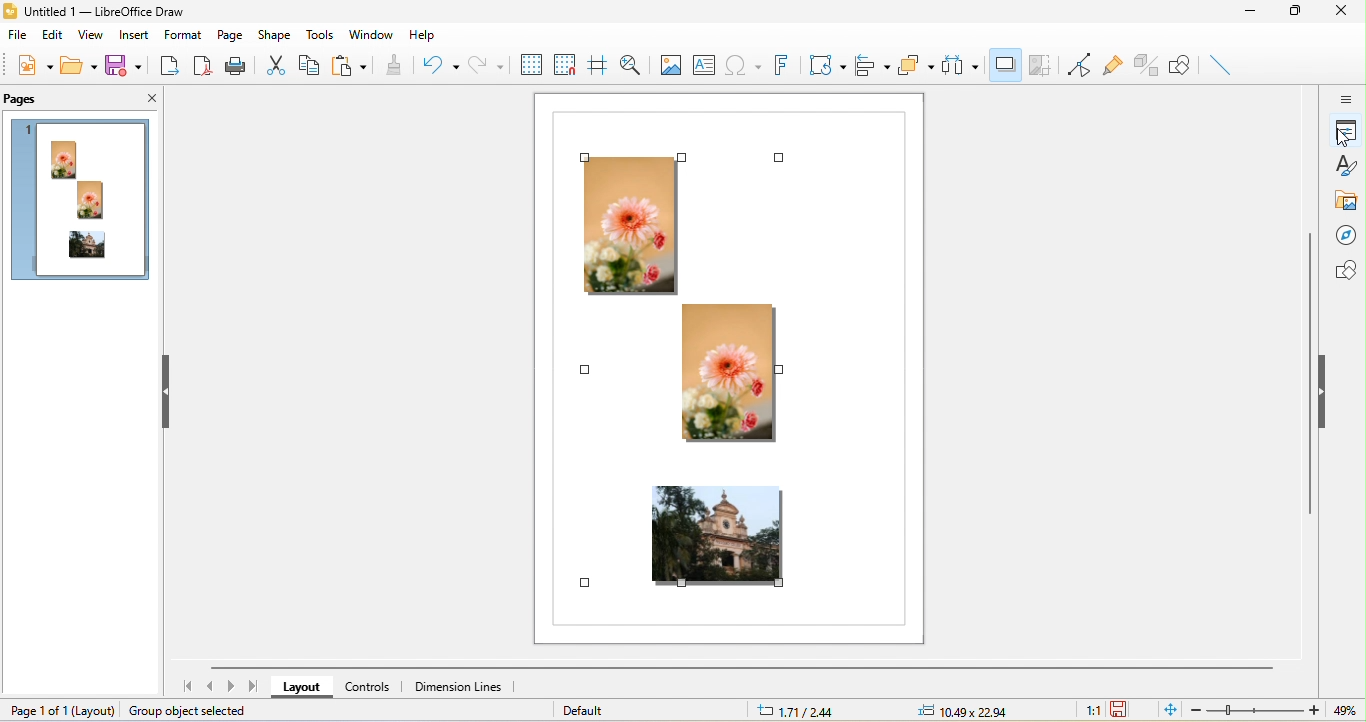 Image resolution: width=1366 pixels, height=722 pixels. What do you see at coordinates (438, 64) in the screenshot?
I see `undo` at bounding box center [438, 64].